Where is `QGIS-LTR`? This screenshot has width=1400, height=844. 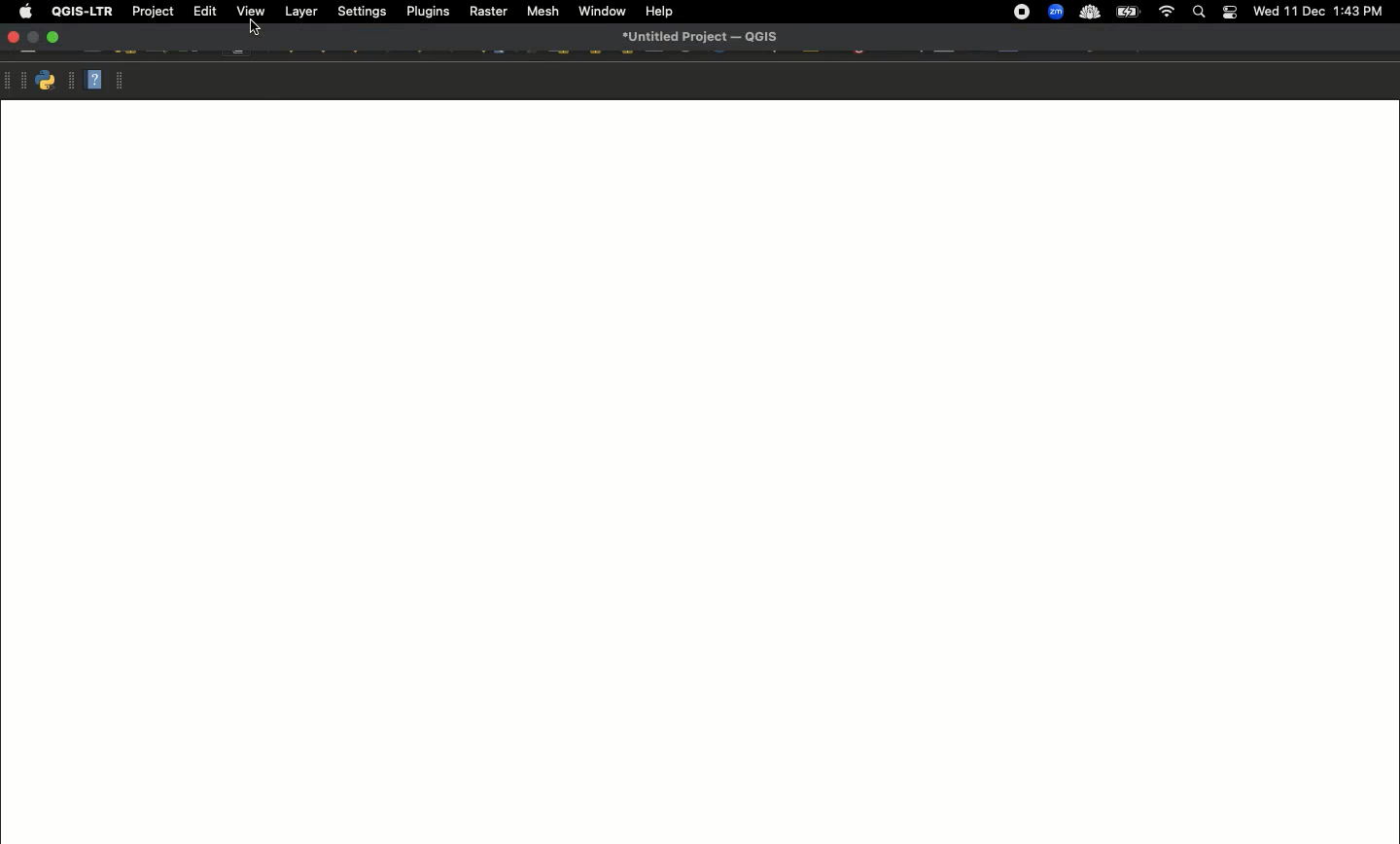 QGIS-LTR is located at coordinates (83, 11).